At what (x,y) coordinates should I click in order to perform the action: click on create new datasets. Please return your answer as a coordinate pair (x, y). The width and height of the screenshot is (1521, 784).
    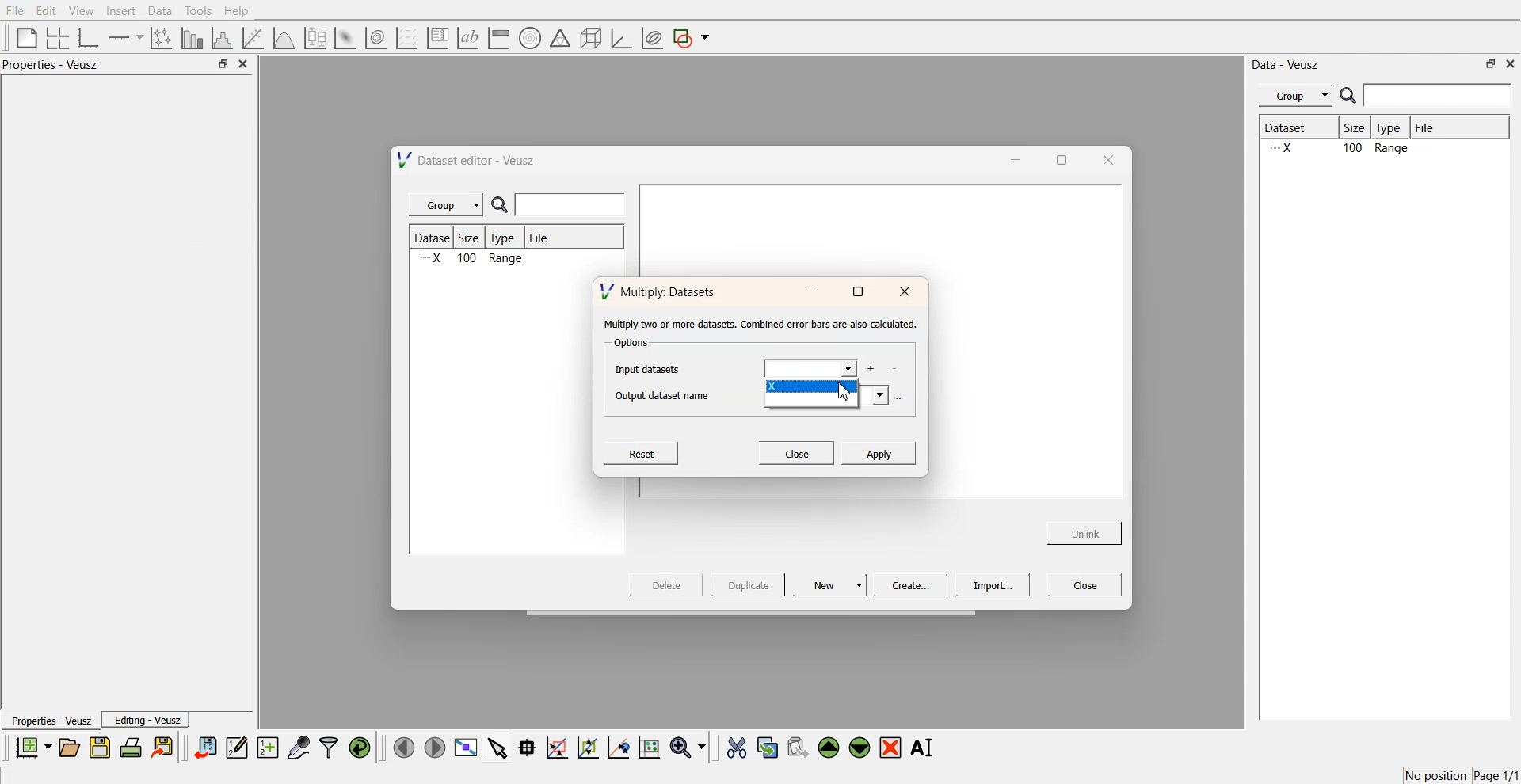
    Looking at the image, I should click on (268, 748).